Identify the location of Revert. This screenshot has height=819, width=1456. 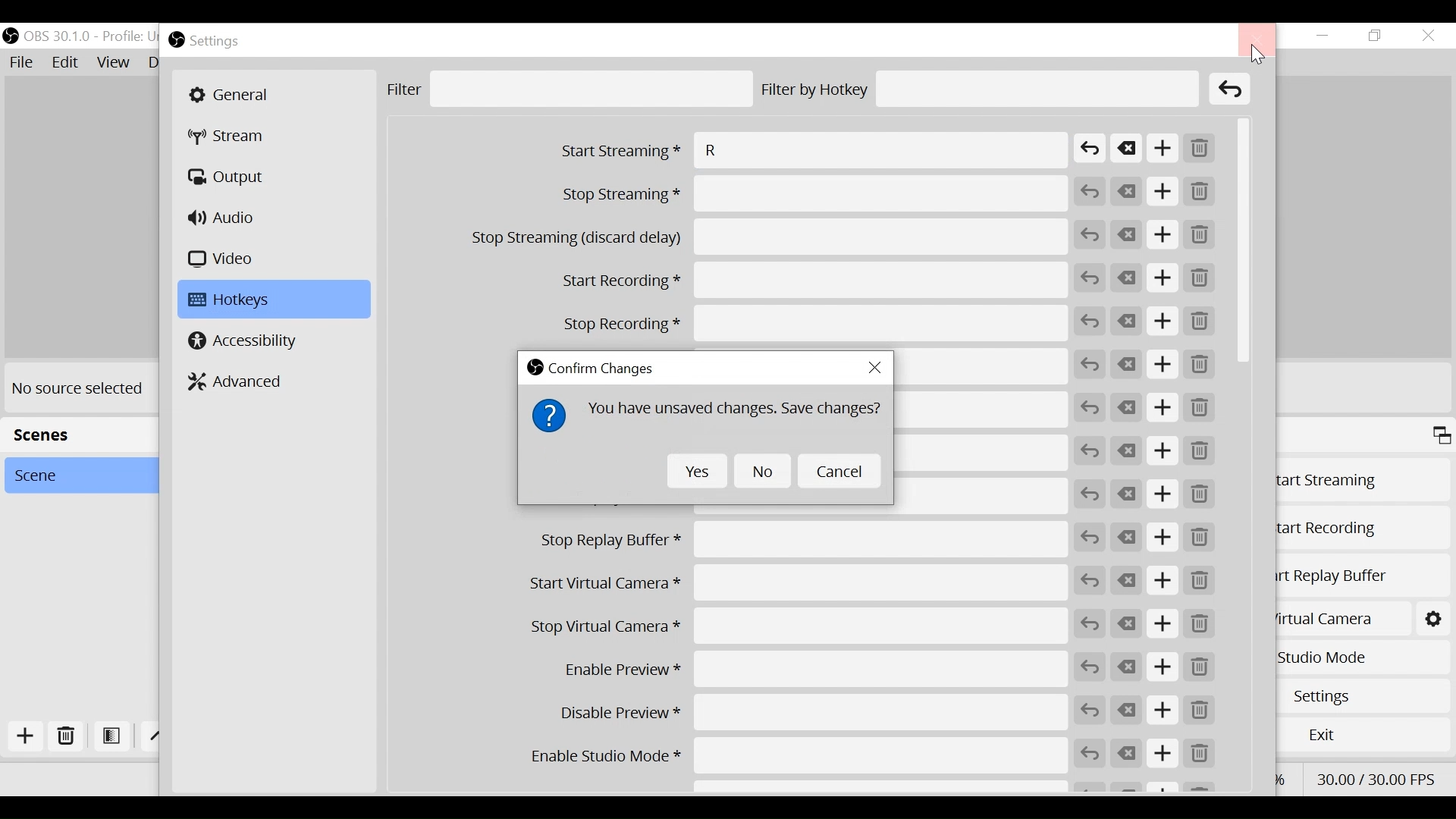
(1090, 450).